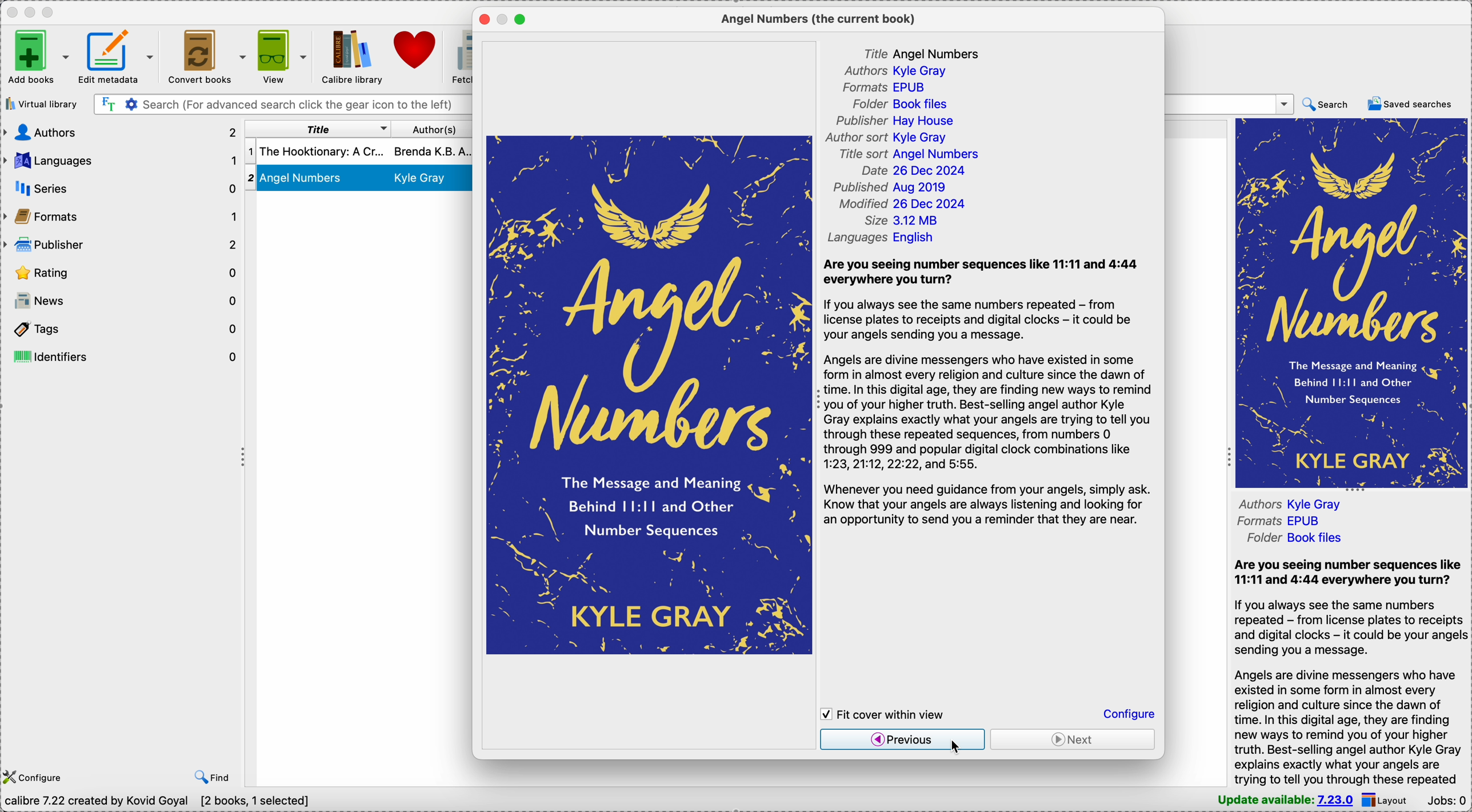 Image resolution: width=1472 pixels, height=812 pixels. I want to click on synopsis, so click(1350, 671).